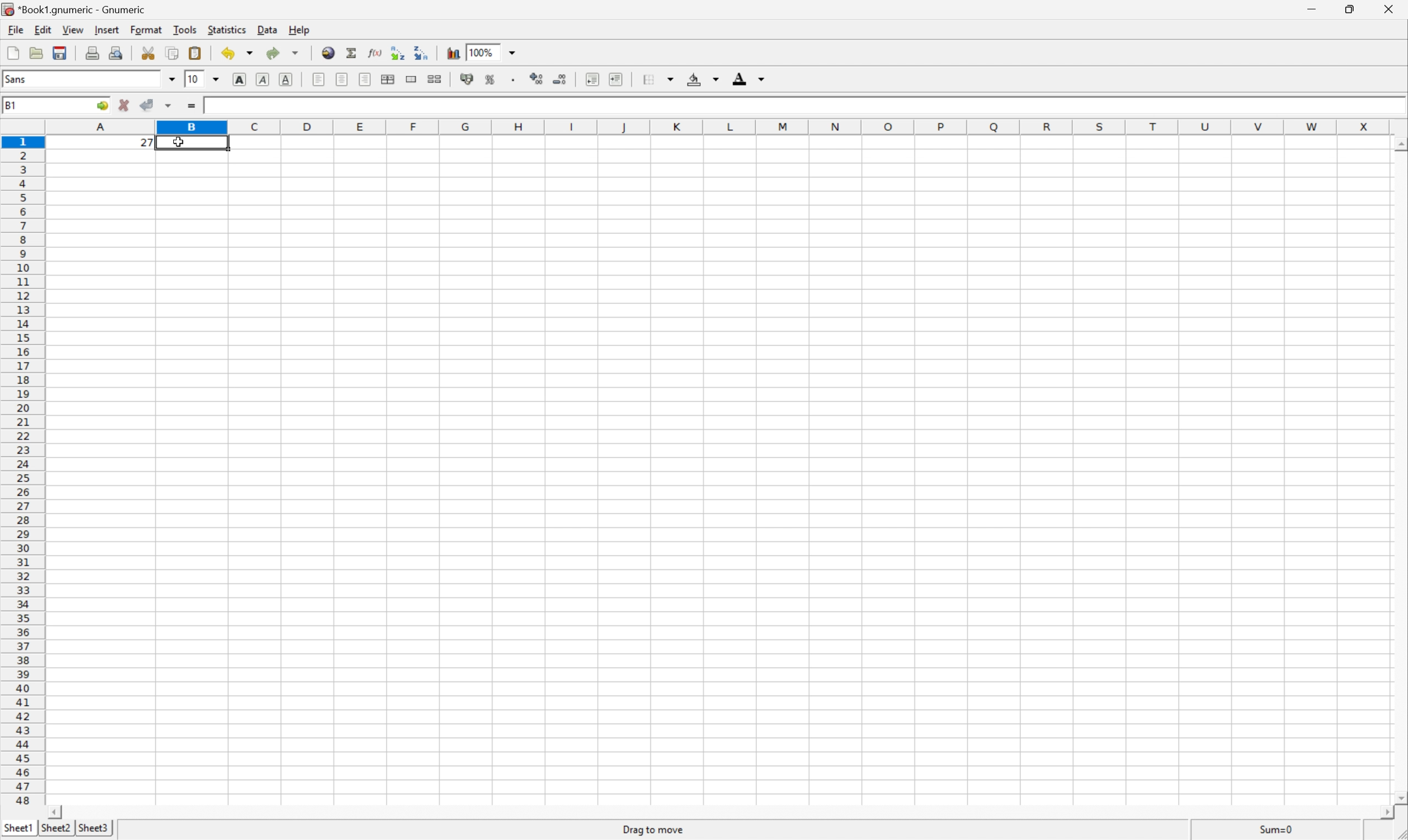  I want to click on Increase indent, and align the contents to the left, so click(615, 78).